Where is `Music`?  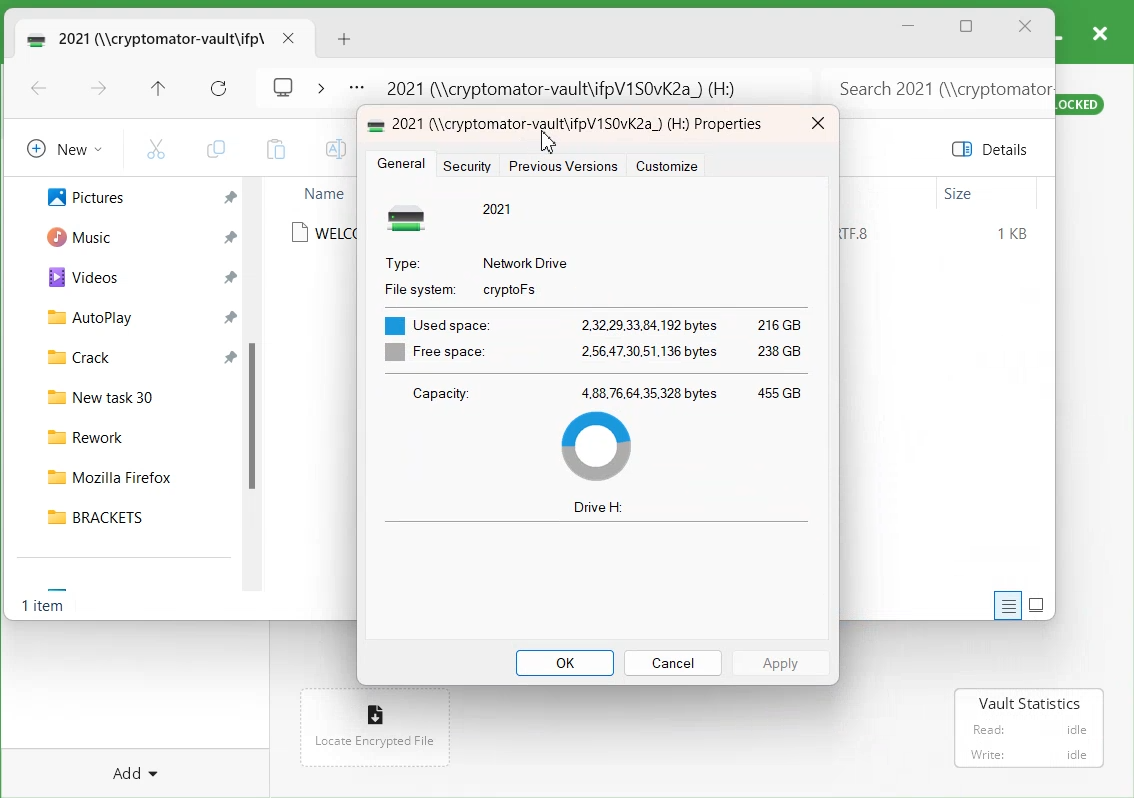
Music is located at coordinates (72, 235).